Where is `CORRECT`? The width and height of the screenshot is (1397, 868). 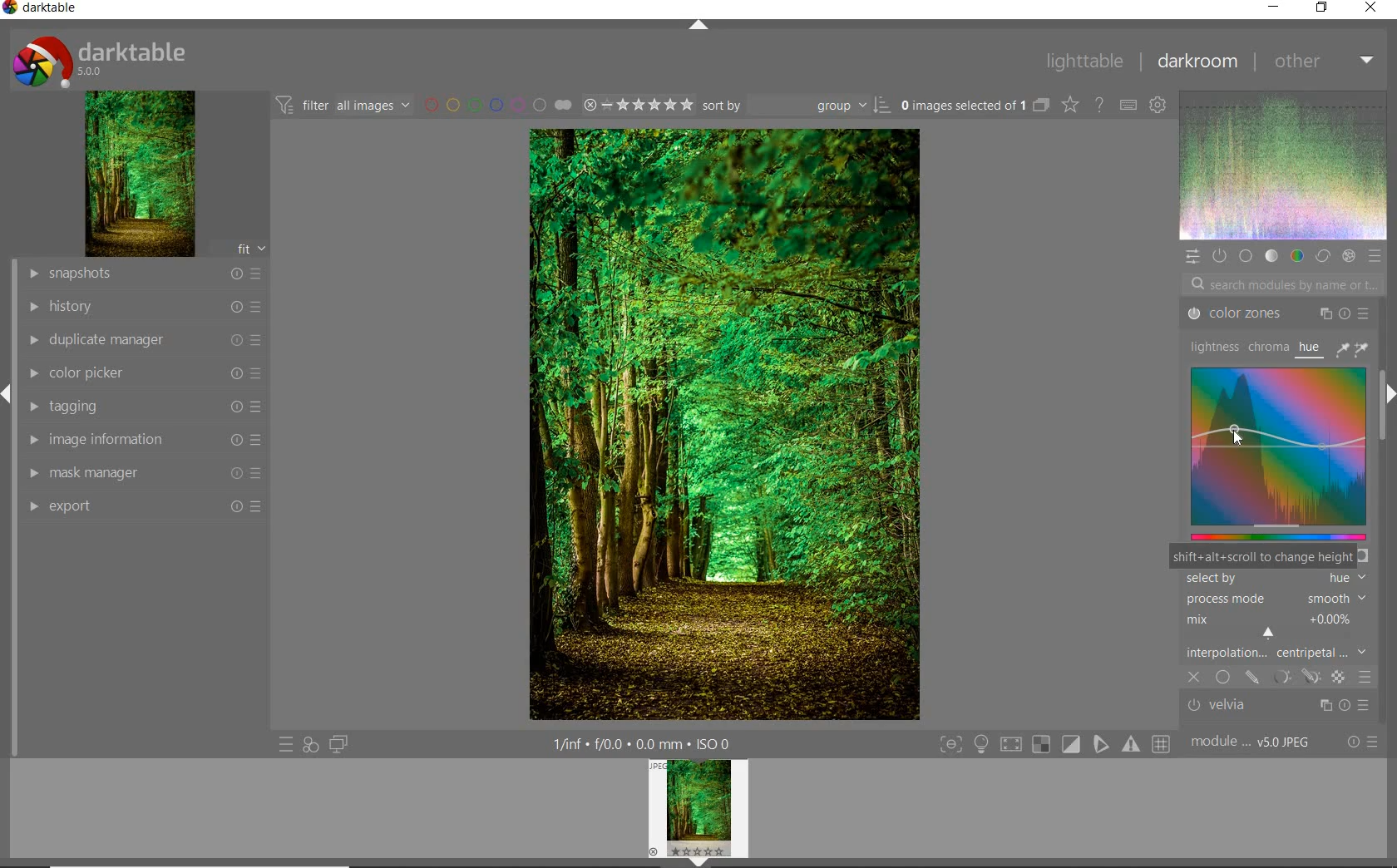 CORRECT is located at coordinates (1323, 257).